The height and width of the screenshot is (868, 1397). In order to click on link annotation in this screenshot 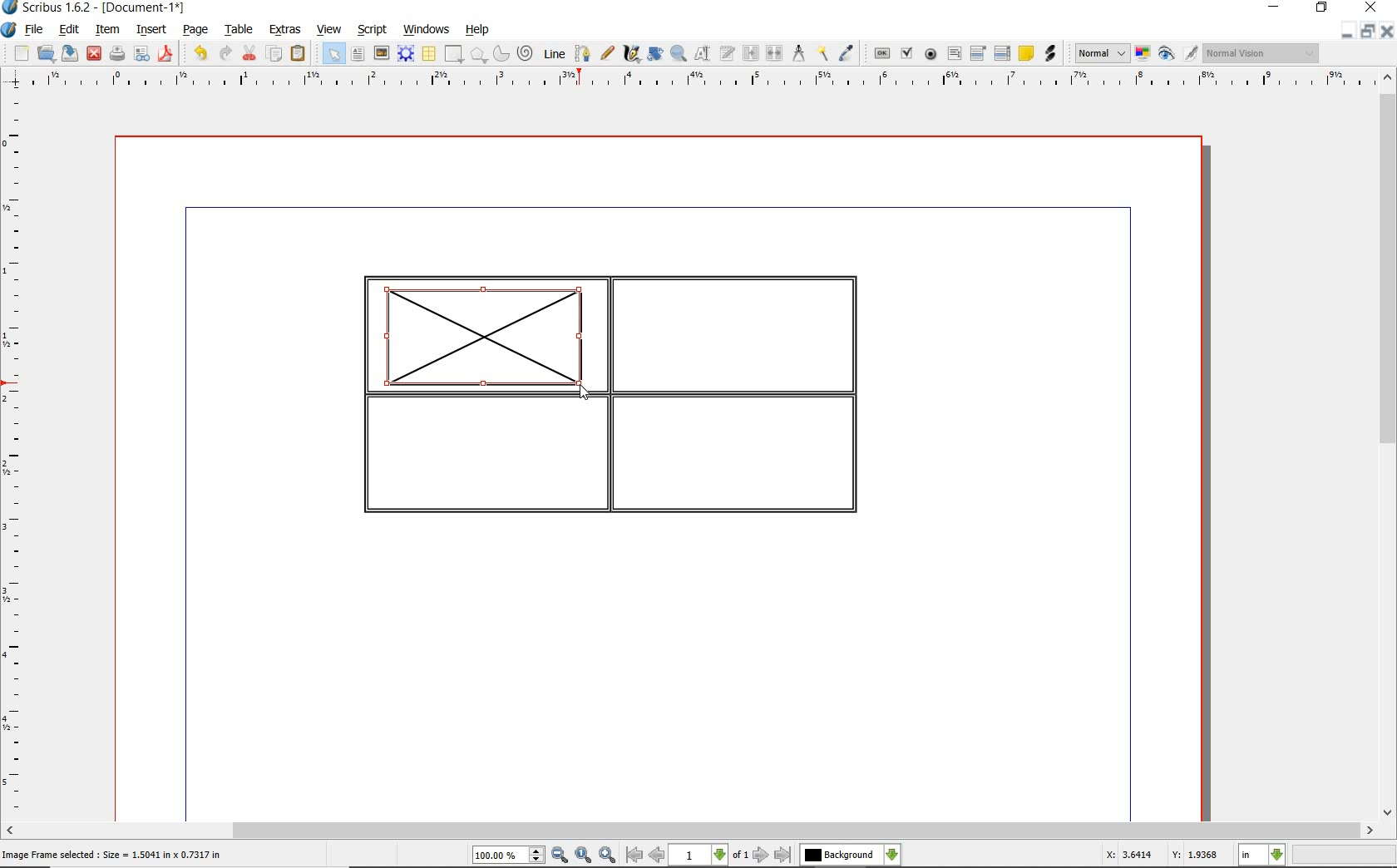, I will do `click(1049, 53)`.